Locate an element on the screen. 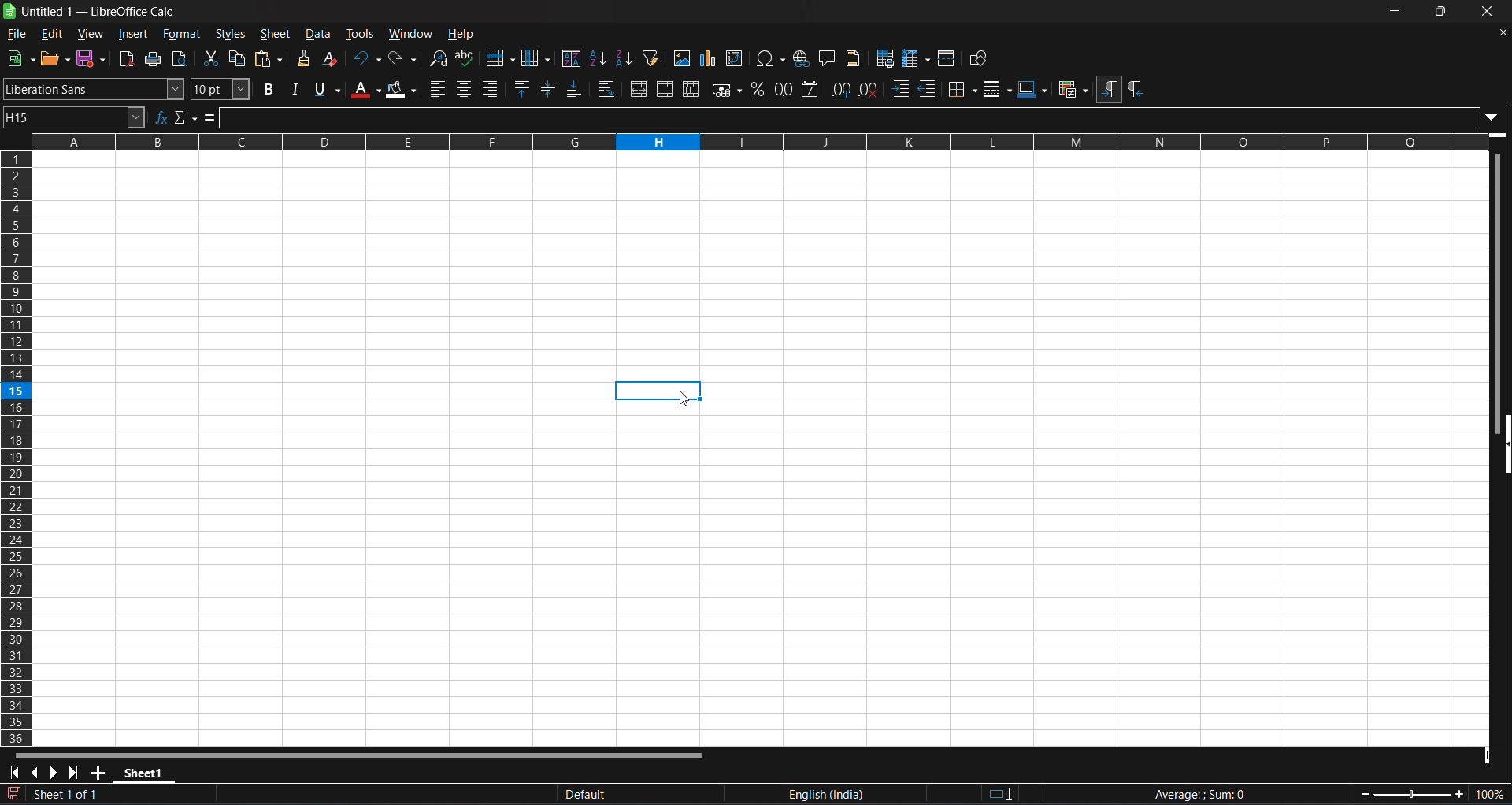  scroll to last sheet is located at coordinates (76, 772).